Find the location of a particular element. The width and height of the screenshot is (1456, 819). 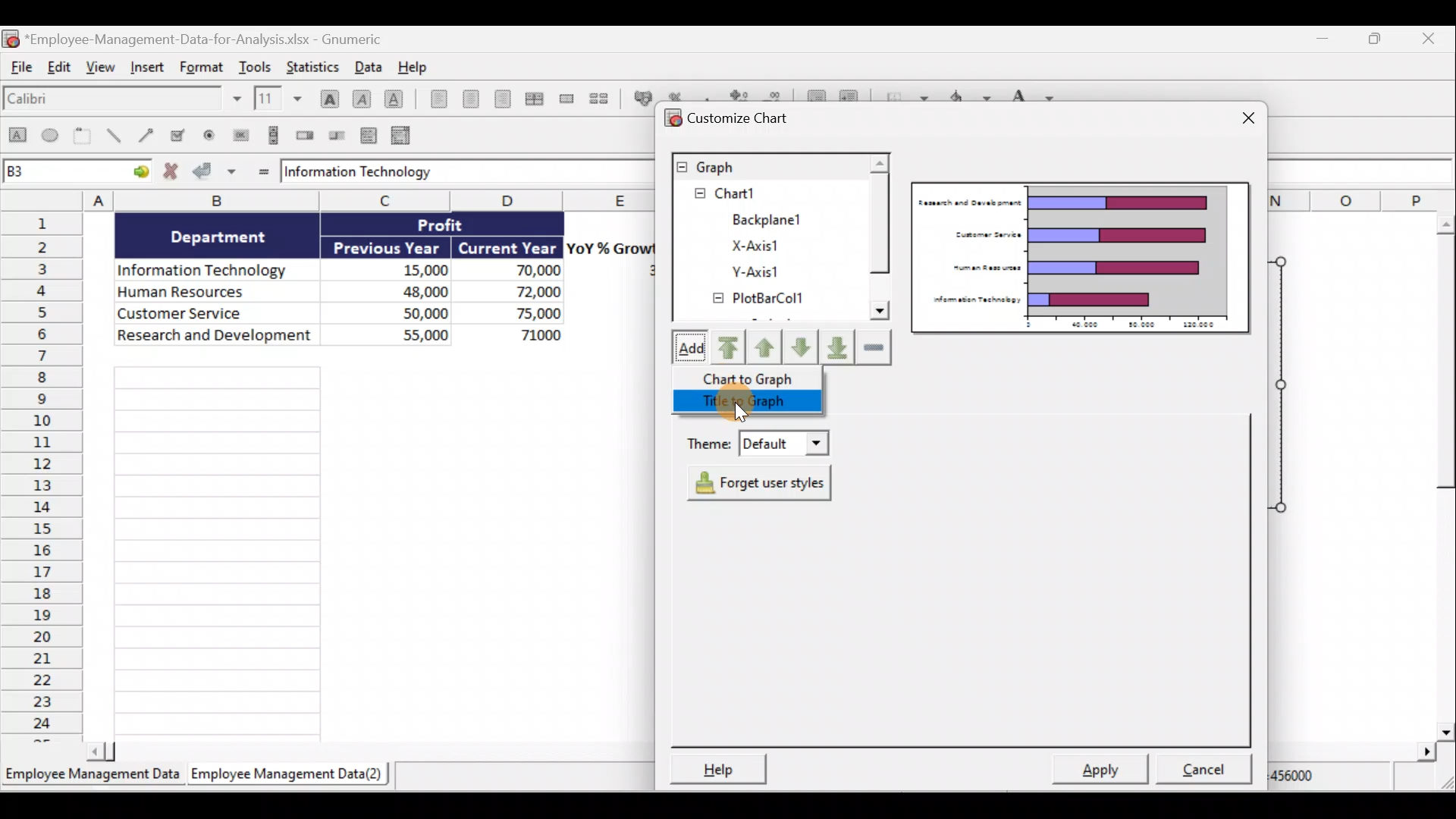

Create a button is located at coordinates (238, 136).